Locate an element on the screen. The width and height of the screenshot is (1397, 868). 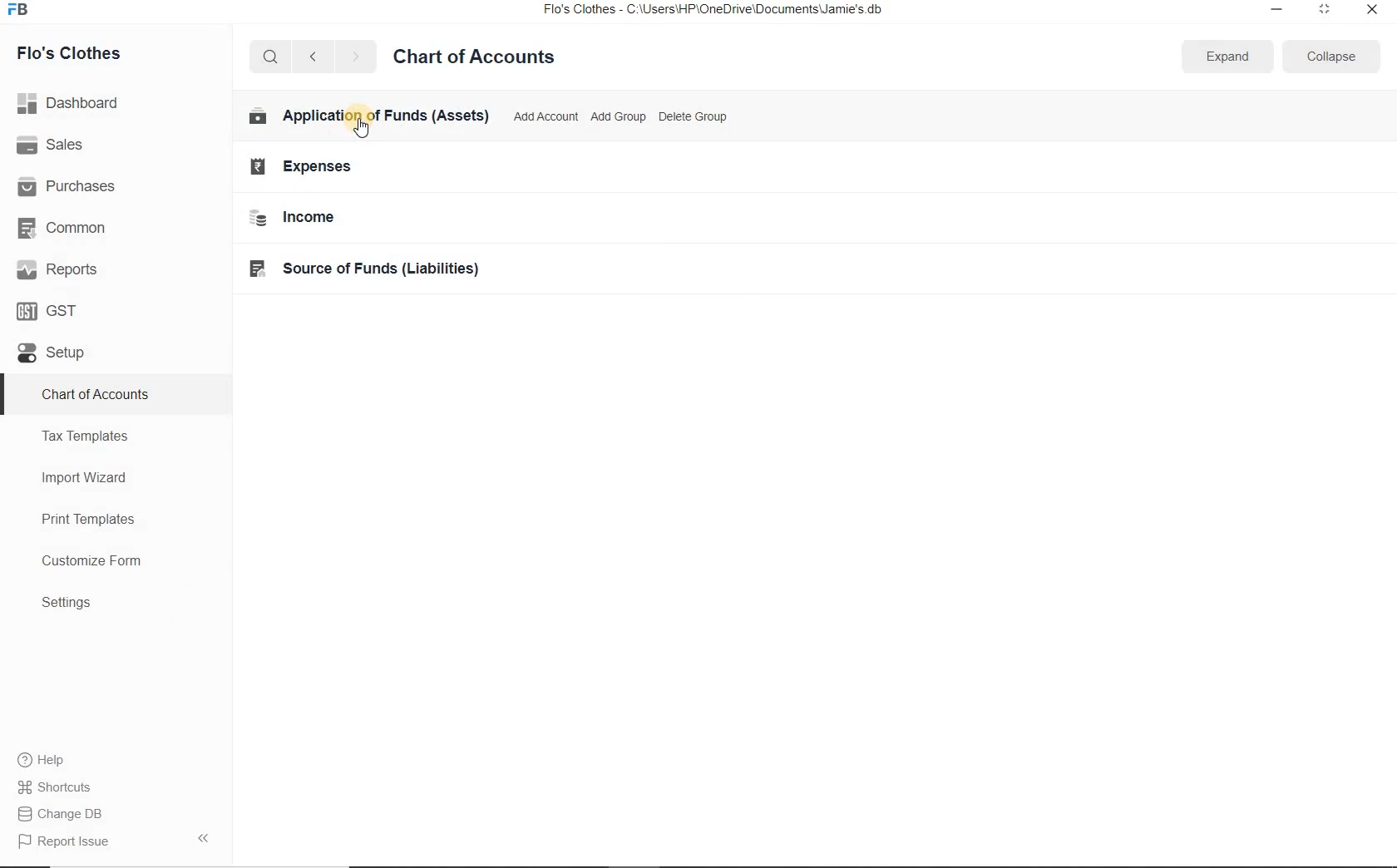
forward is located at coordinates (357, 57).